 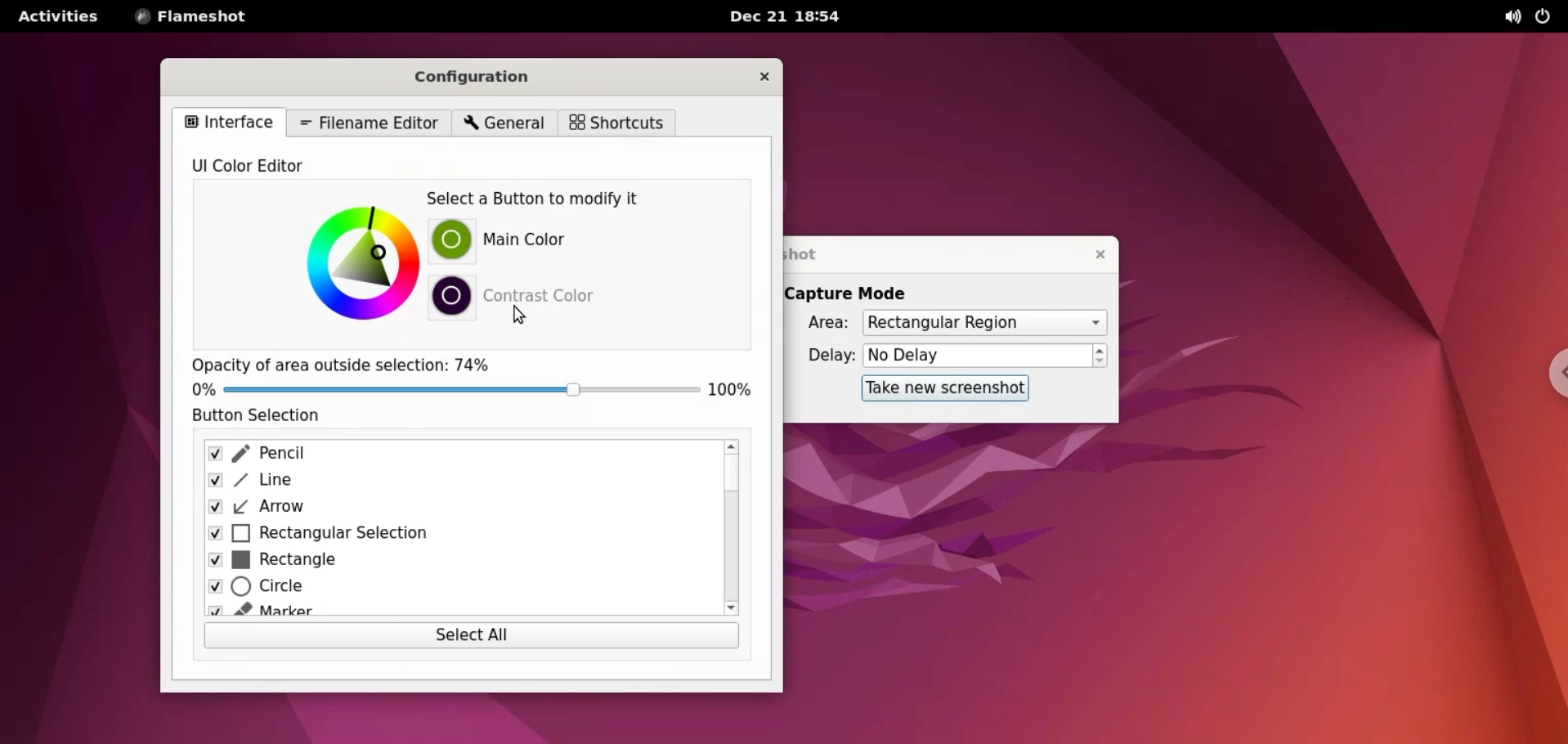 What do you see at coordinates (232, 123) in the screenshot?
I see `interface ` at bounding box center [232, 123].